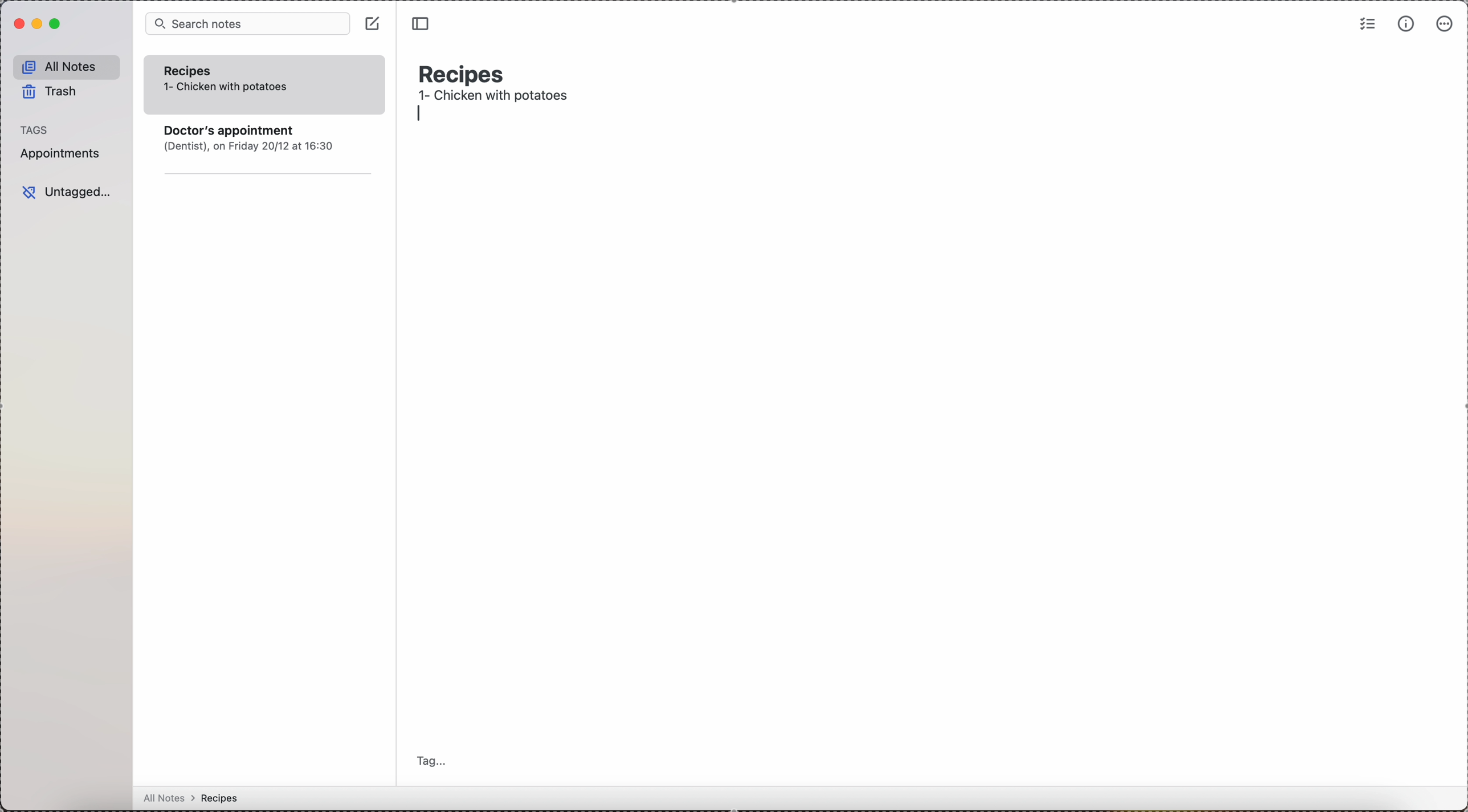 Image resolution: width=1468 pixels, height=812 pixels. I want to click on search bar, so click(247, 24).